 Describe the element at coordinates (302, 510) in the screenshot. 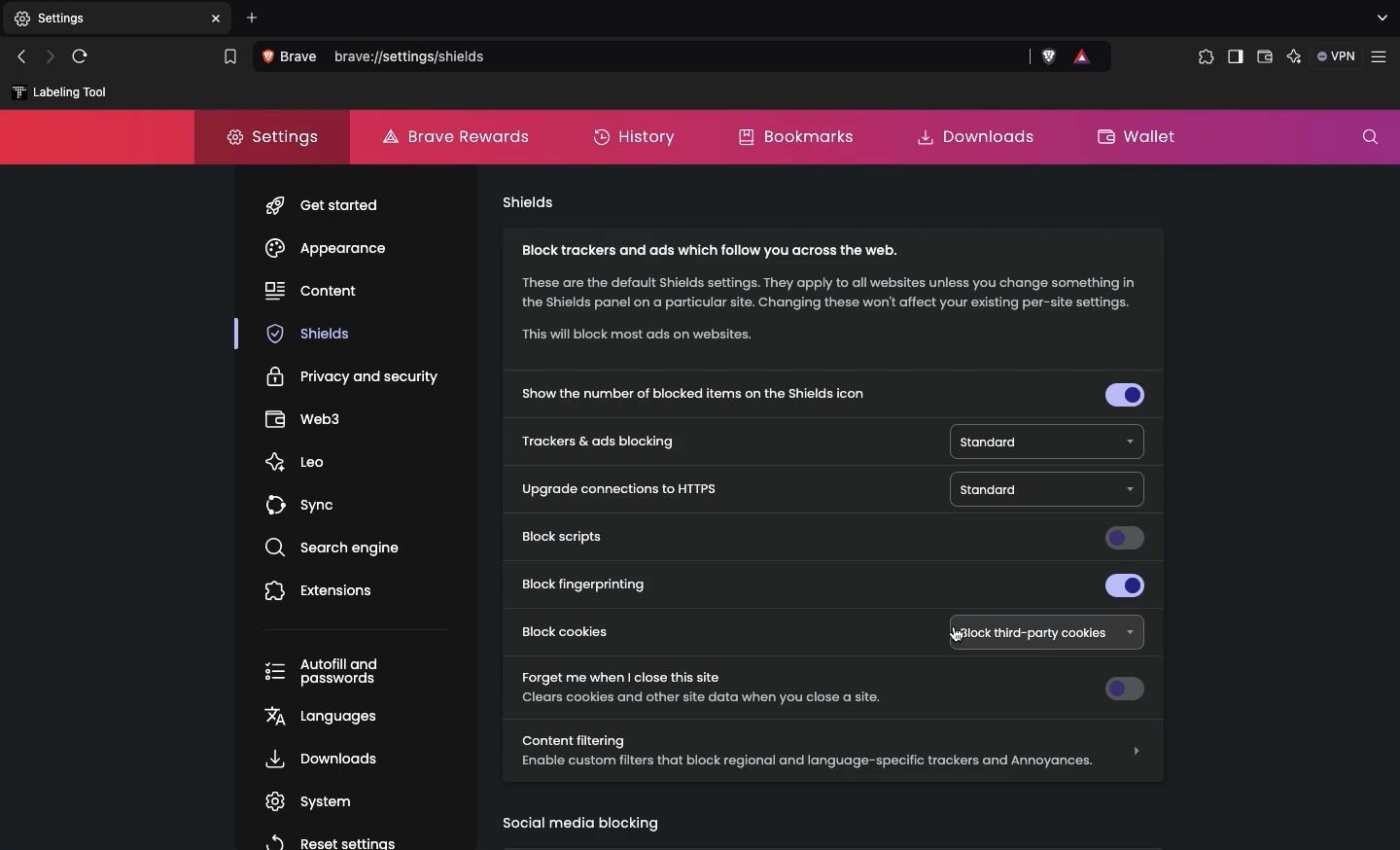

I see `sync` at that location.